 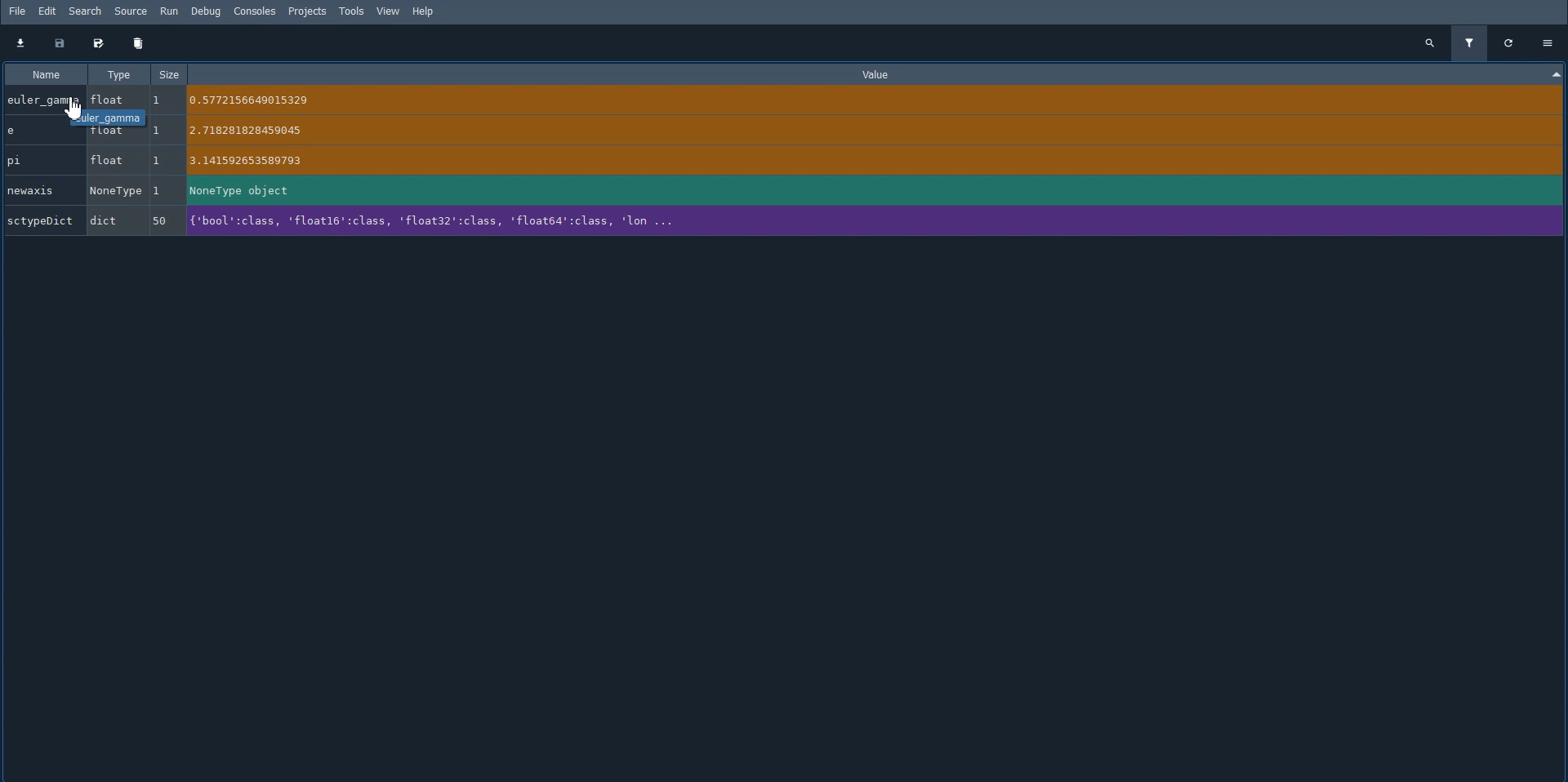 I want to click on Help, so click(x=423, y=12).